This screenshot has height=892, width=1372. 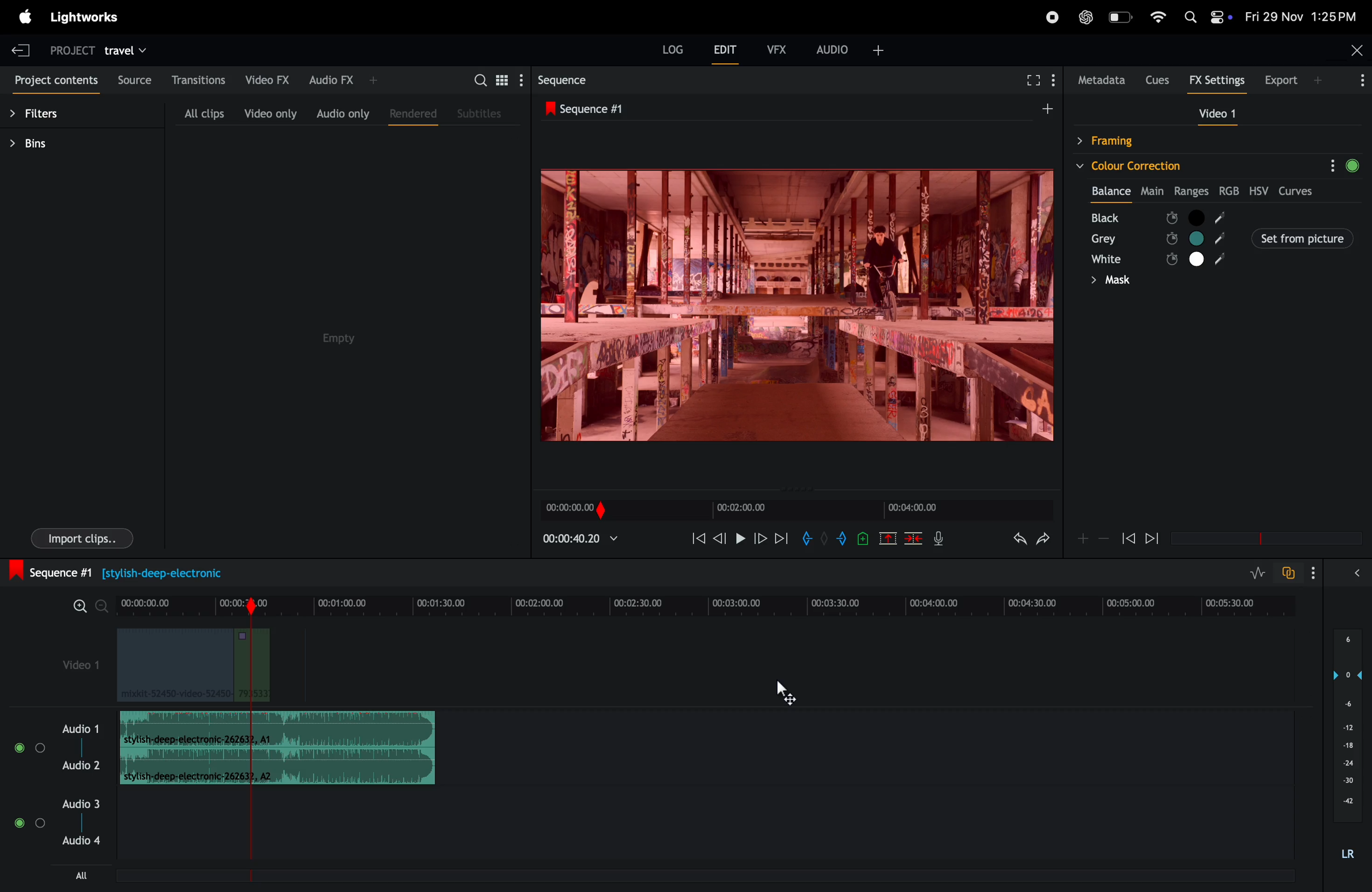 What do you see at coordinates (1109, 259) in the screenshot?
I see `white` at bounding box center [1109, 259].